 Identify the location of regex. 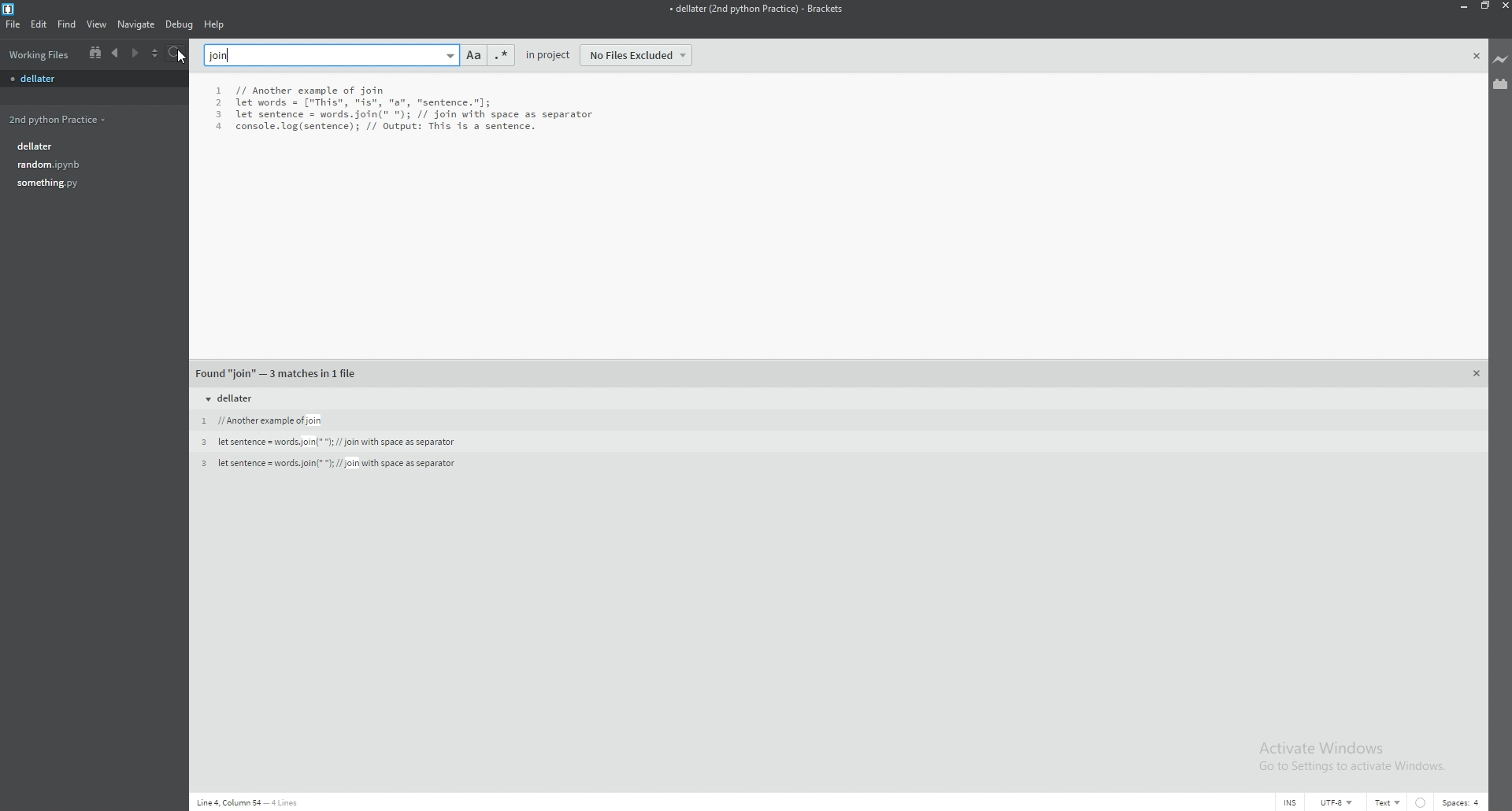
(499, 55).